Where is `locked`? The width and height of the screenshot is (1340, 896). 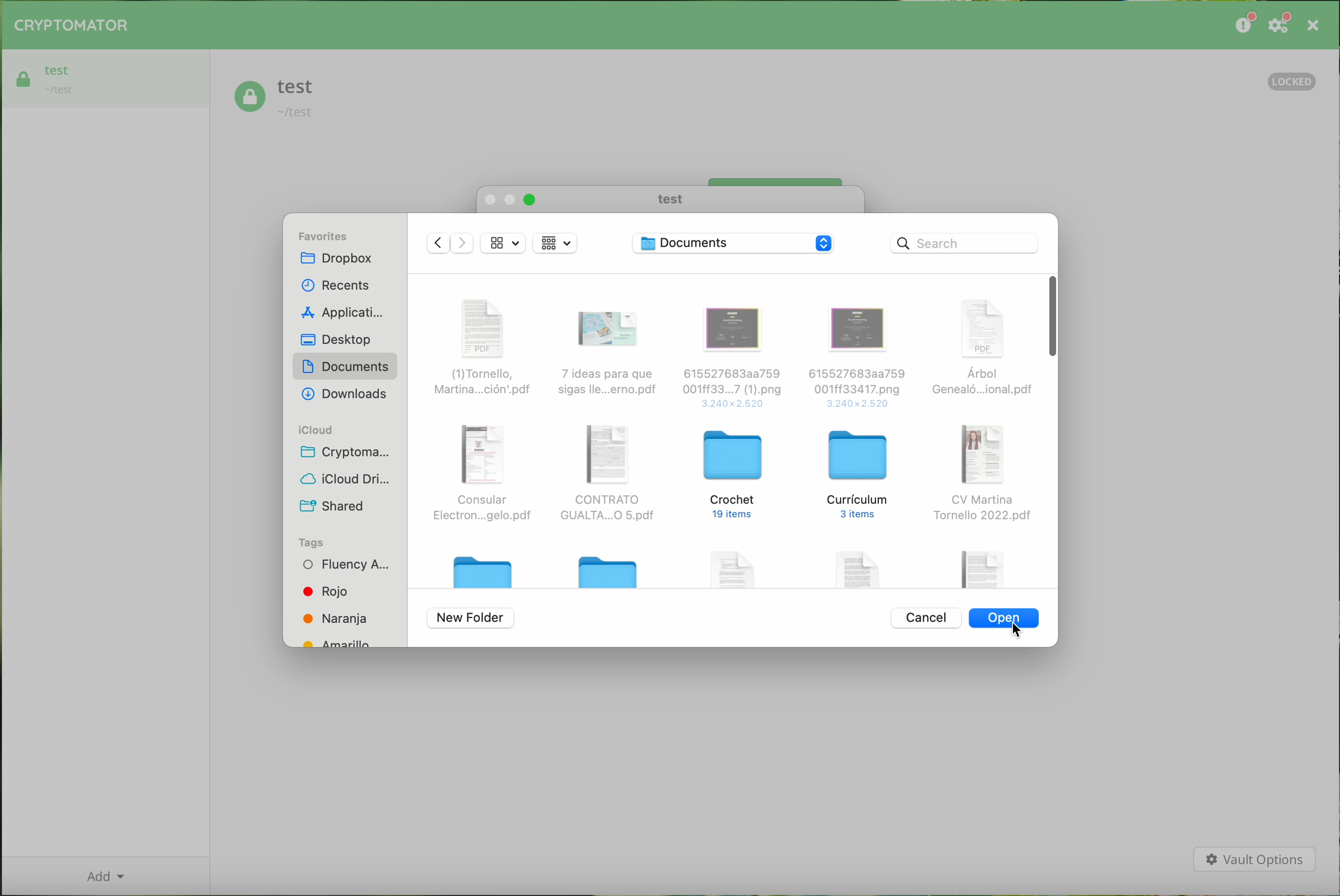
locked is located at coordinates (1293, 79).